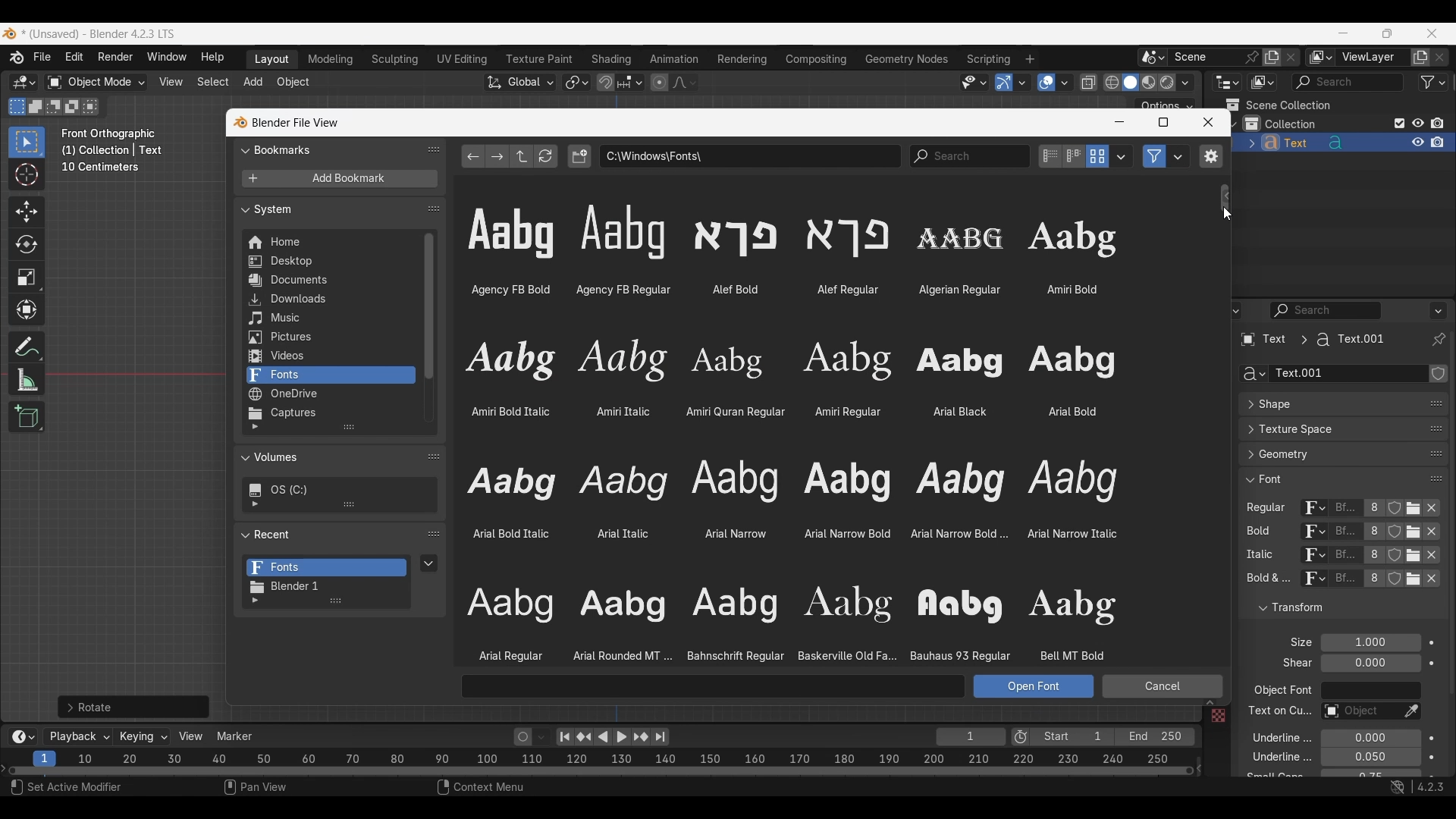 This screenshot has height=819, width=1456. I want to click on Parent directory, so click(522, 156).